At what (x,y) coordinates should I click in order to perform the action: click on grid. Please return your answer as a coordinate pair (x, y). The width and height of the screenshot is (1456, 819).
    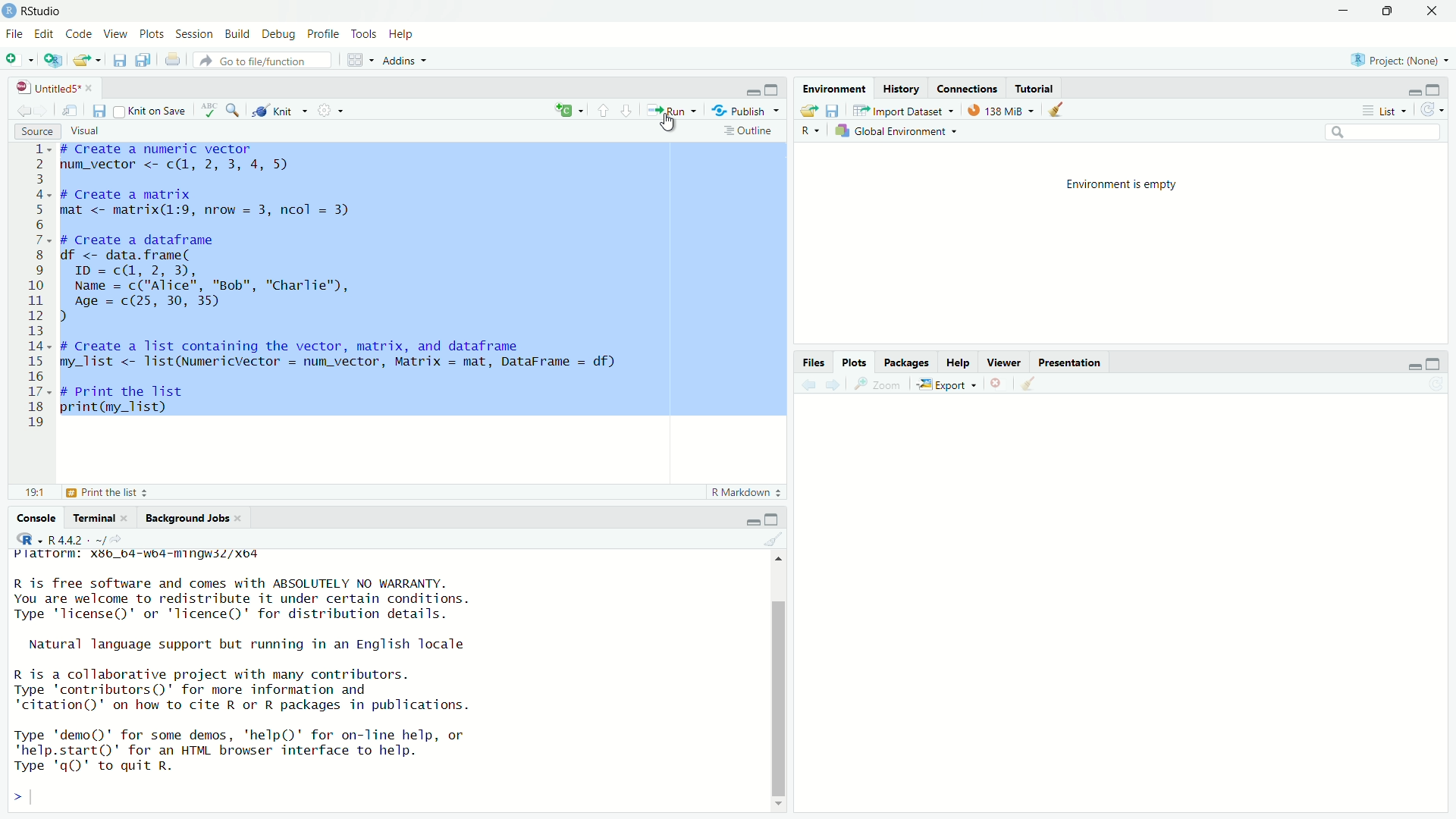
    Looking at the image, I should click on (358, 60).